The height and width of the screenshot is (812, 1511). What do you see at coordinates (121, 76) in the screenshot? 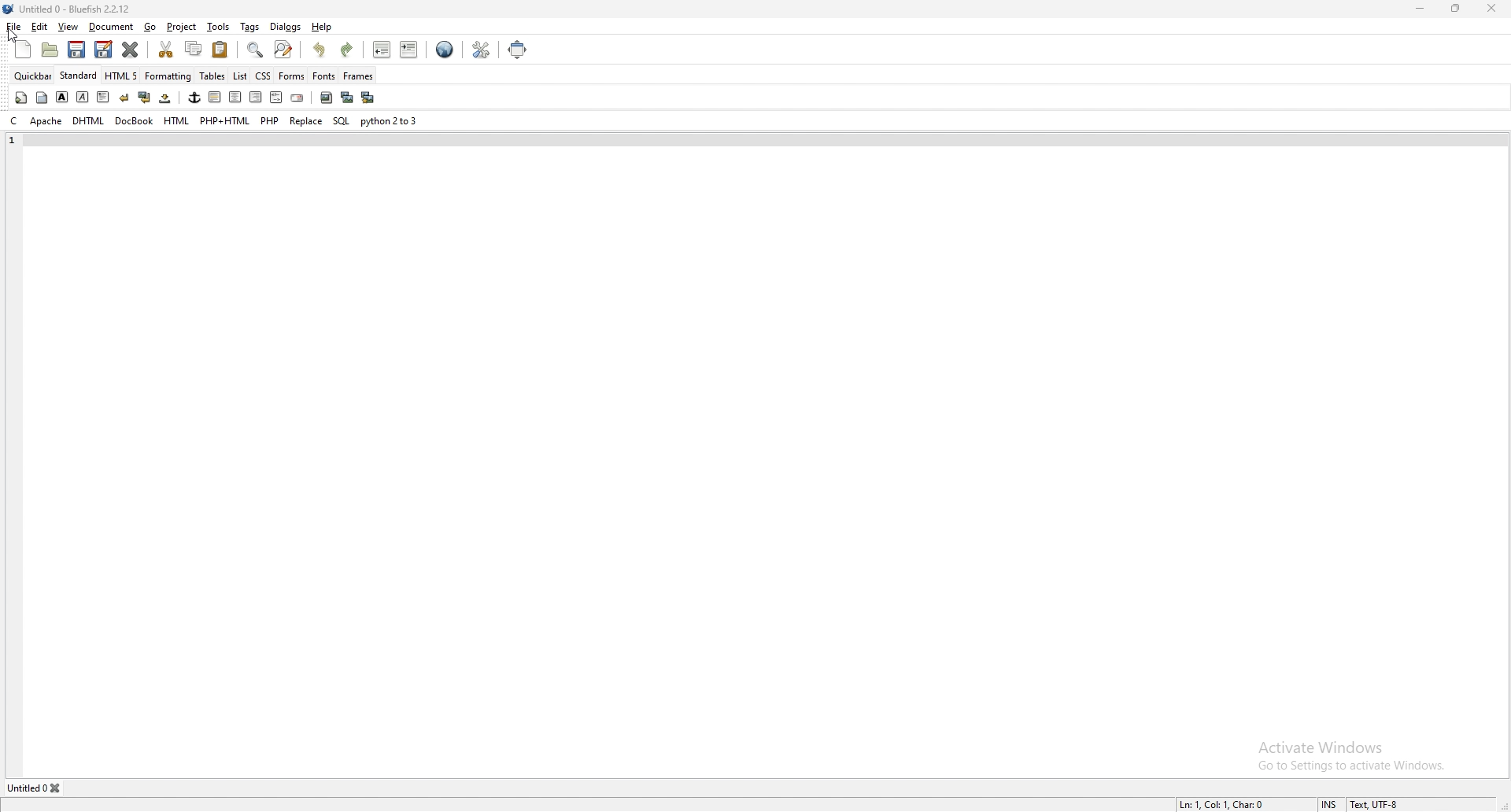
I see `html 5` at bounding box center [121, 76].